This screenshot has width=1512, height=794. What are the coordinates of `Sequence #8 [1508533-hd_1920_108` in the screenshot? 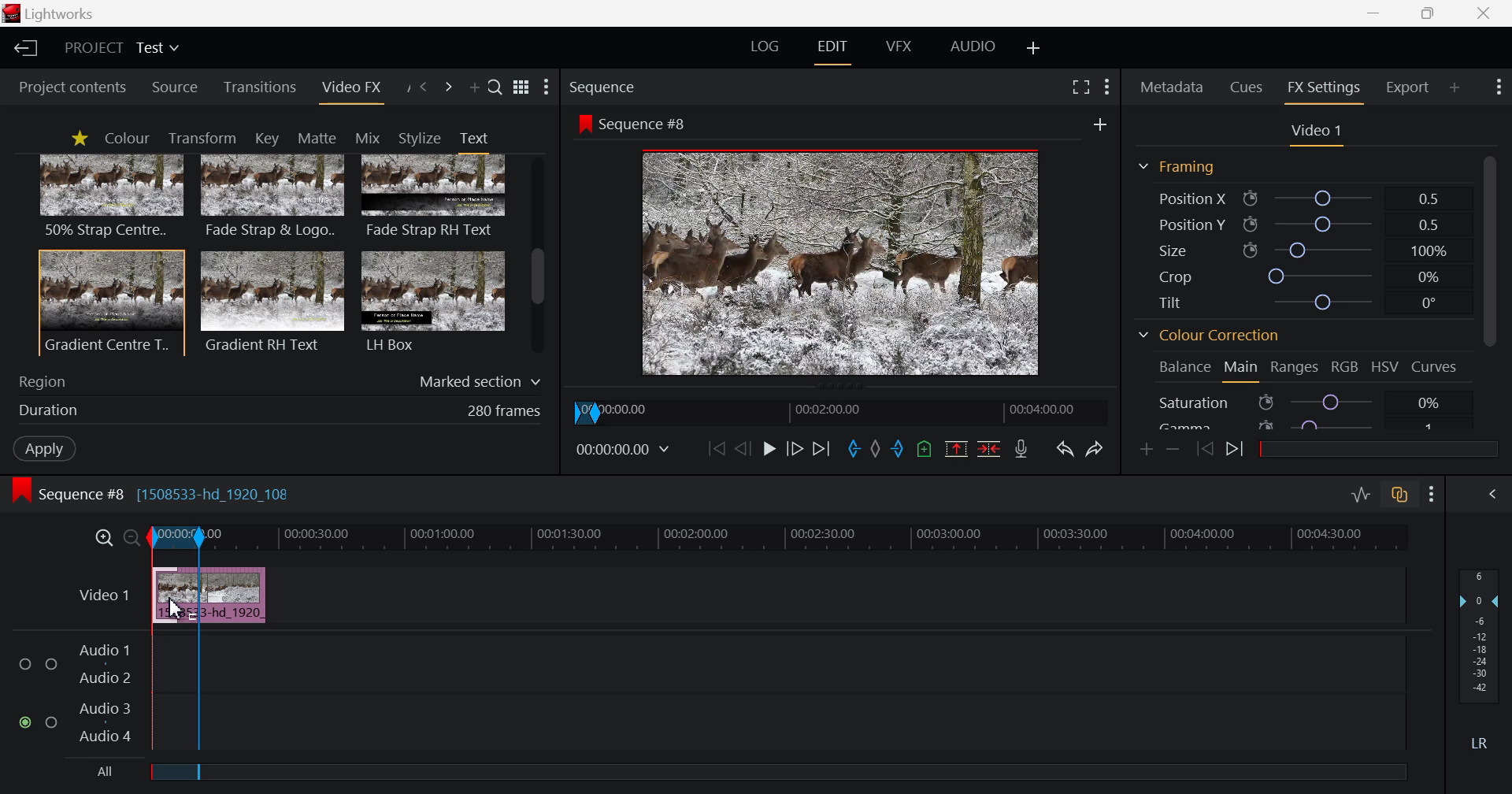 It's located at (162, 493).